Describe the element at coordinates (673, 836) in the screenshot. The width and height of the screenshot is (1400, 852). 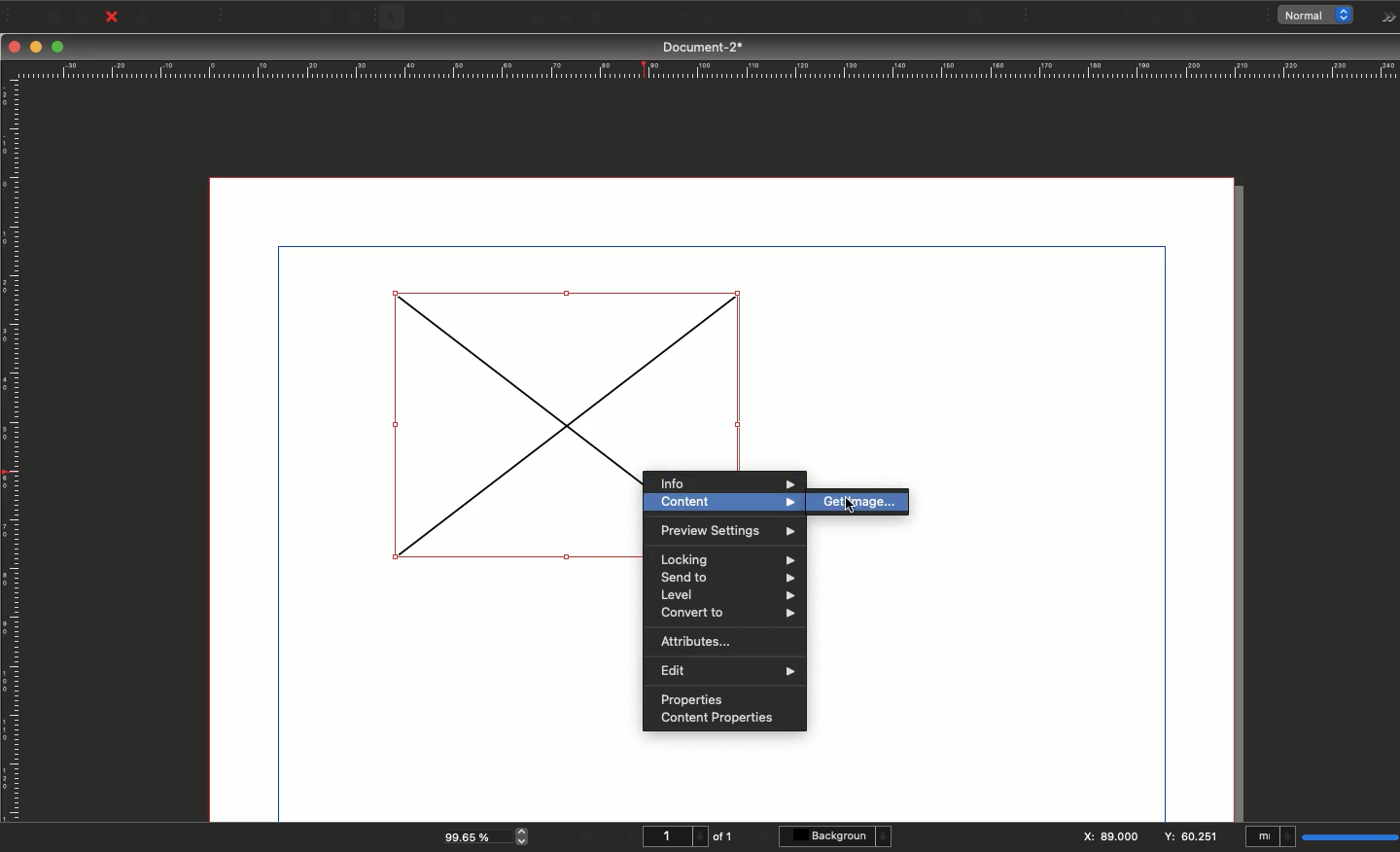
I see `1` at that location.